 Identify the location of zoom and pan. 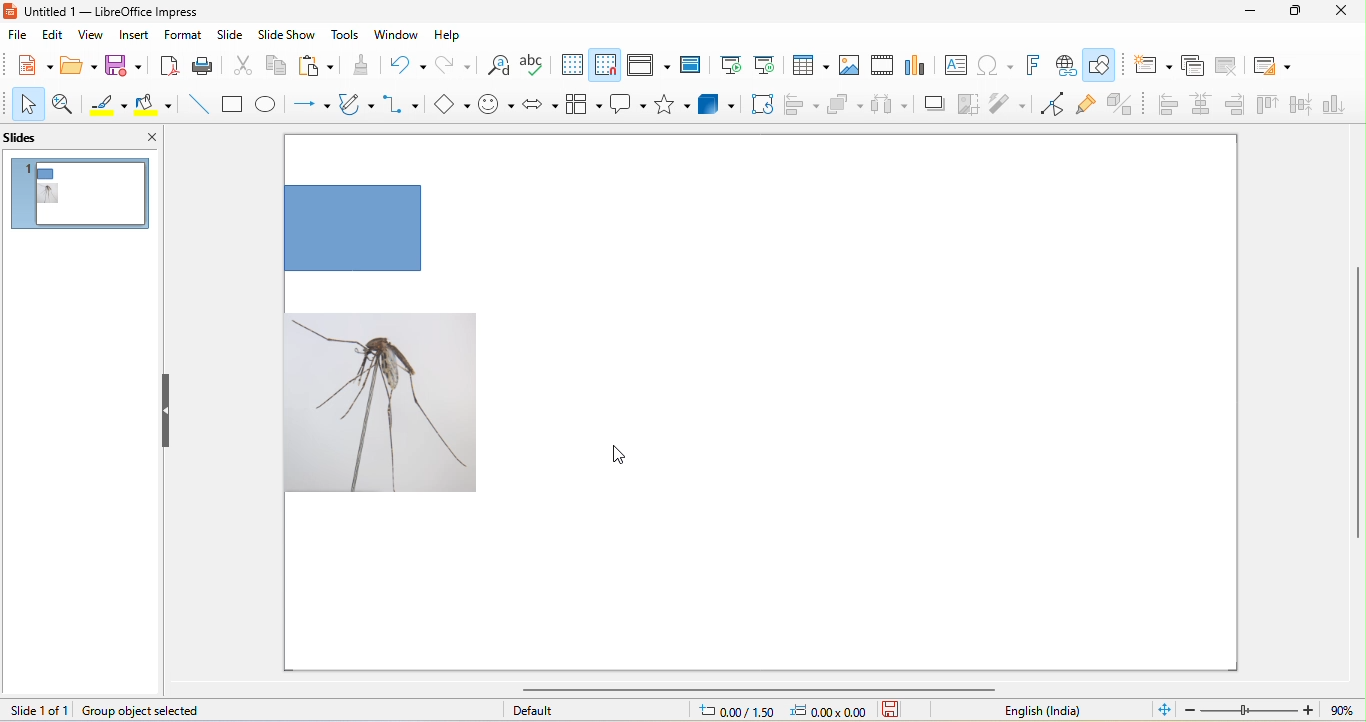
(65, 104).